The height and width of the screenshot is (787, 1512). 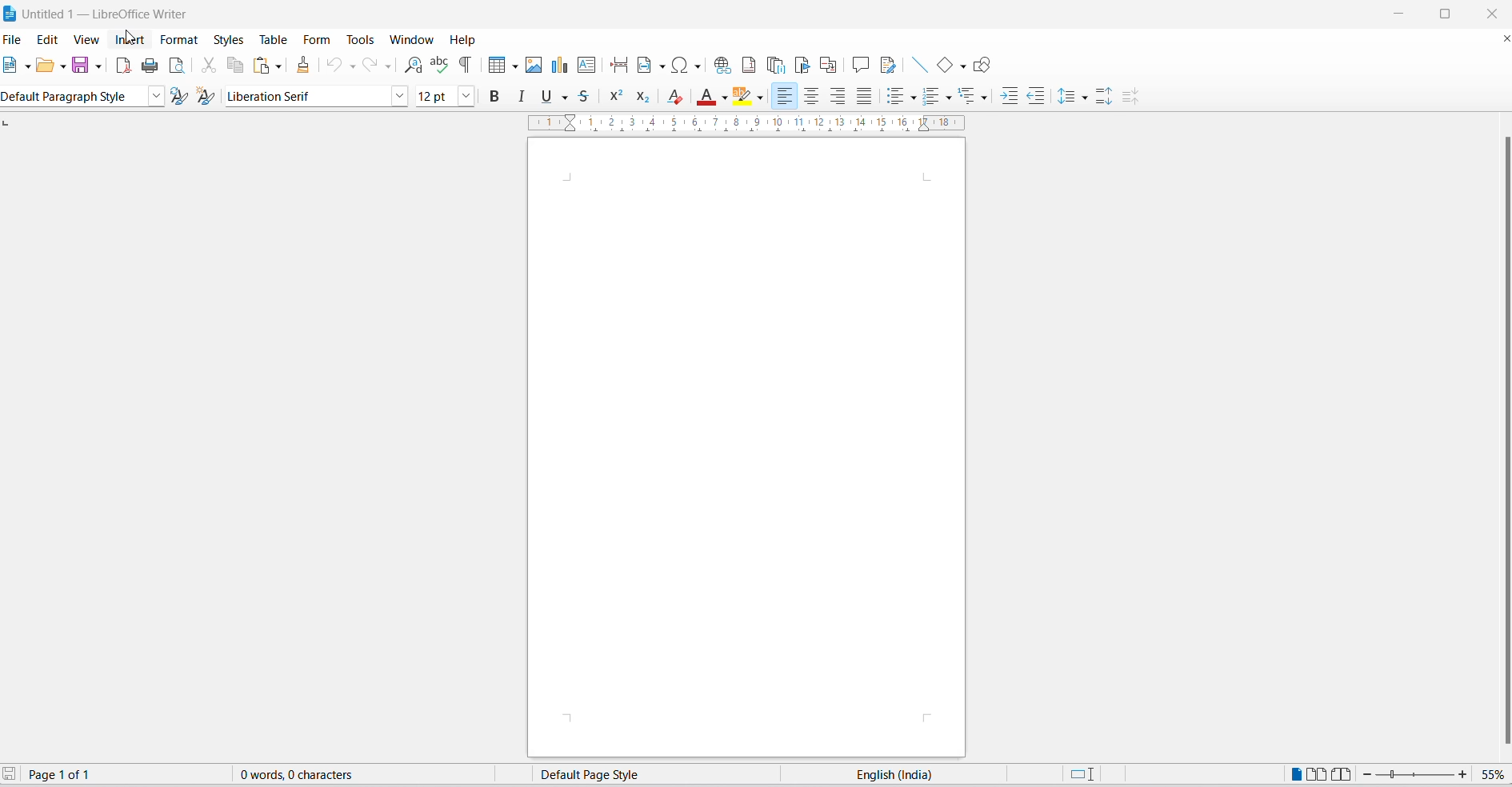 I want to click on text language, so click(x=902, y=774).